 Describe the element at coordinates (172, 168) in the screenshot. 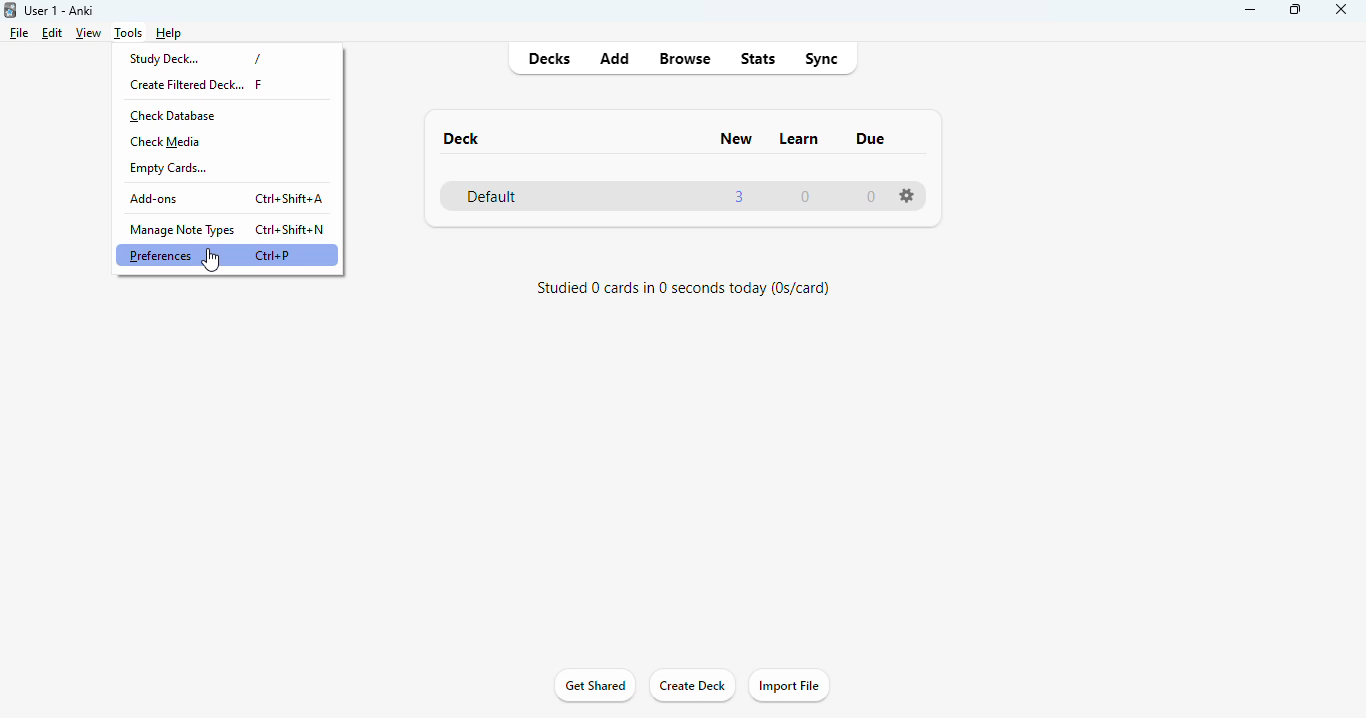

I see `empty cards` at that location.